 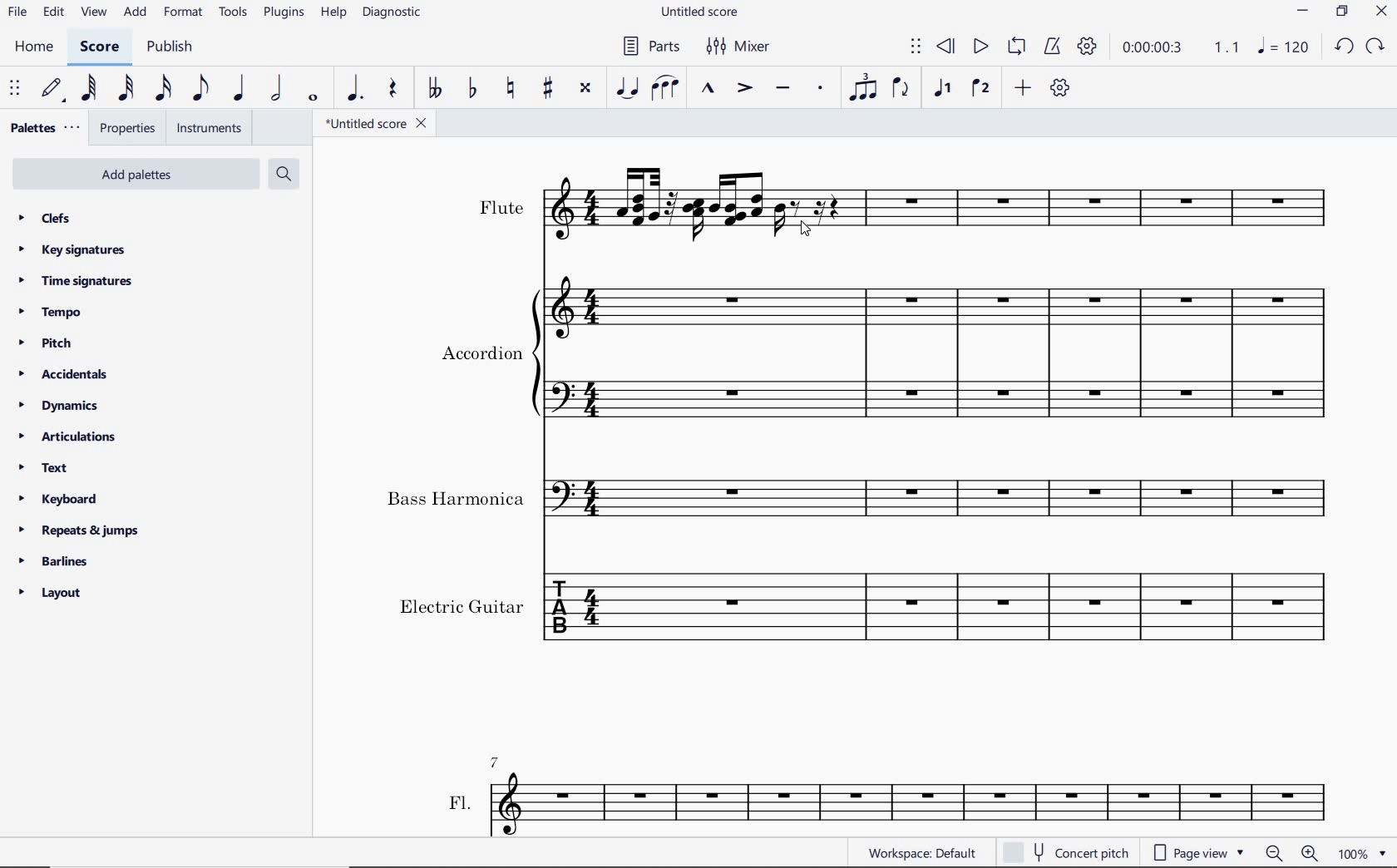 What do you see at coordinates (707, 89) in the screenshot?
I see `marcato` at bounding box center [707, 89].